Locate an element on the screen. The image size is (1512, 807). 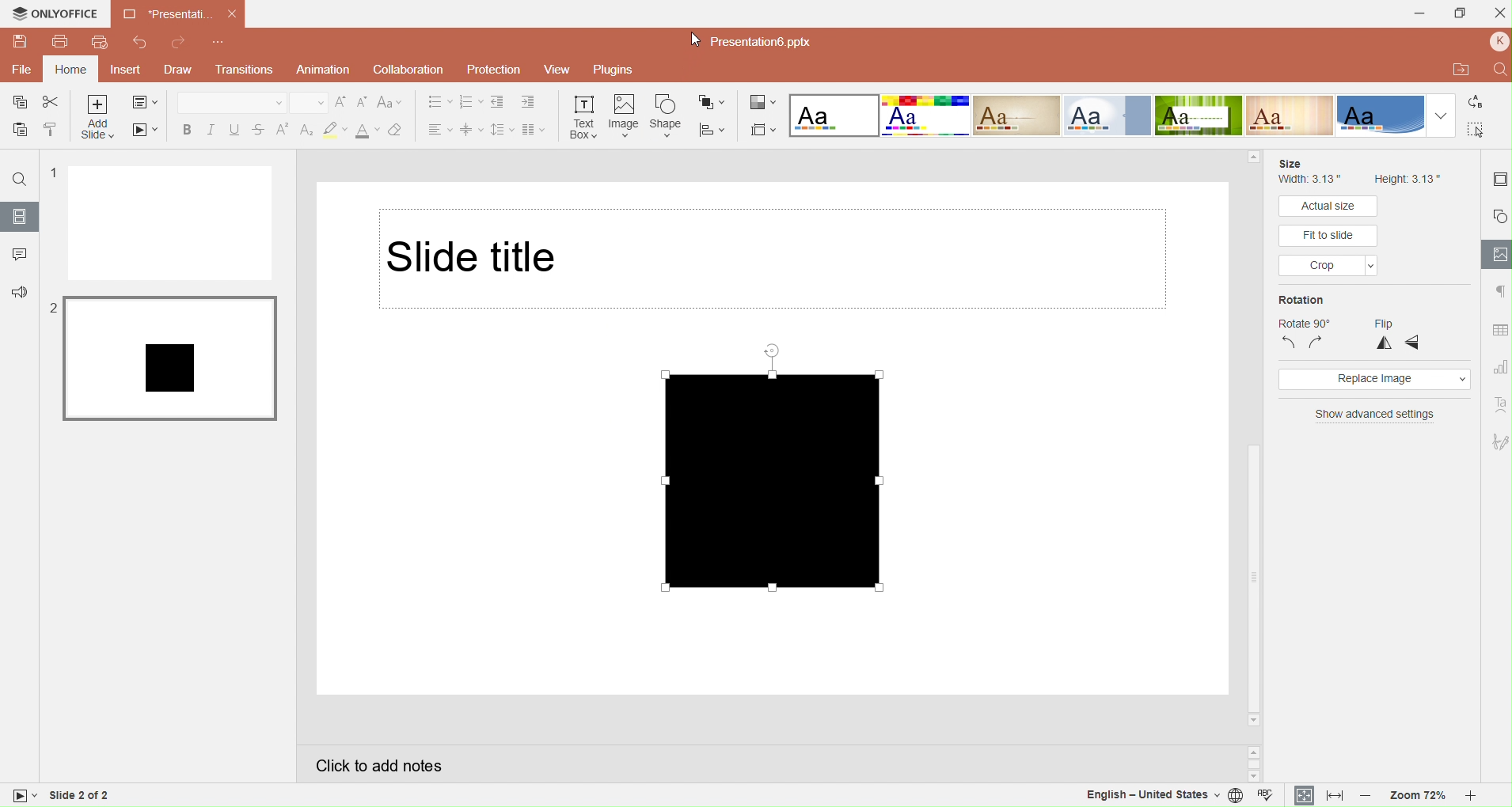
Fit to width is located at coordinates (1332, 795).